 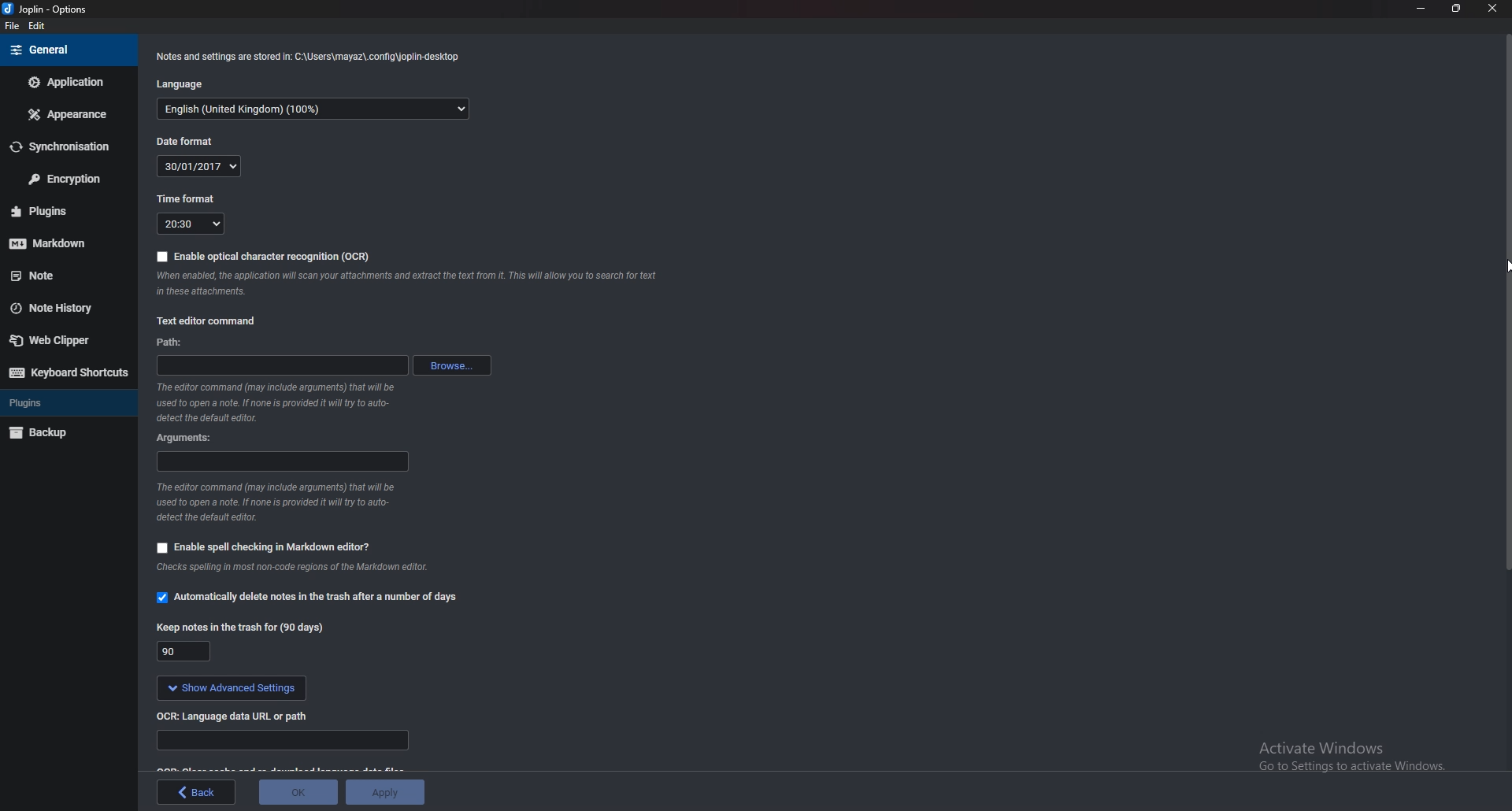 I want to click on path, so click(x=173, y=343).